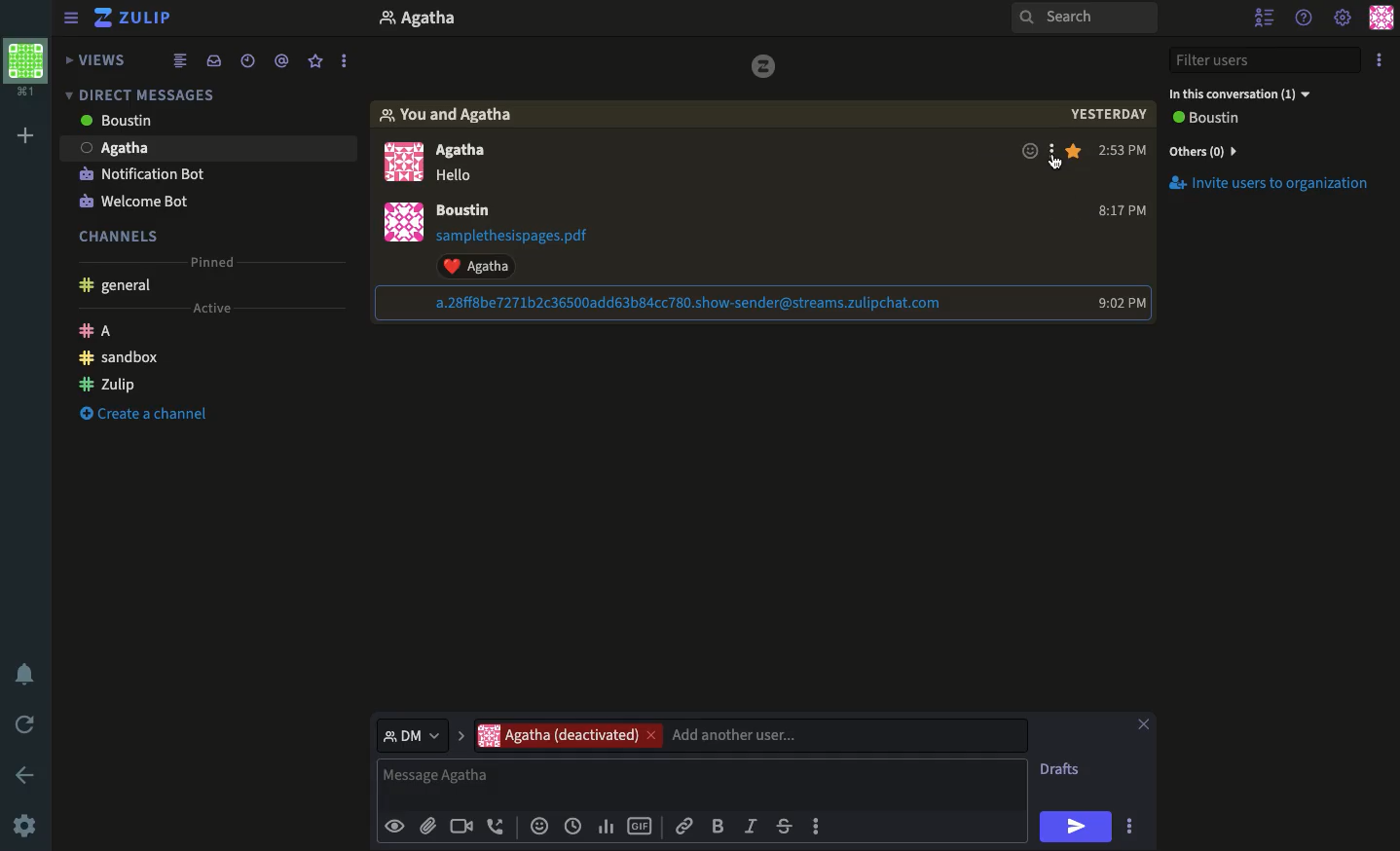 The width and height of the screenshot is (1400, 851). I want to click on Sandbox, so click(121, 358).